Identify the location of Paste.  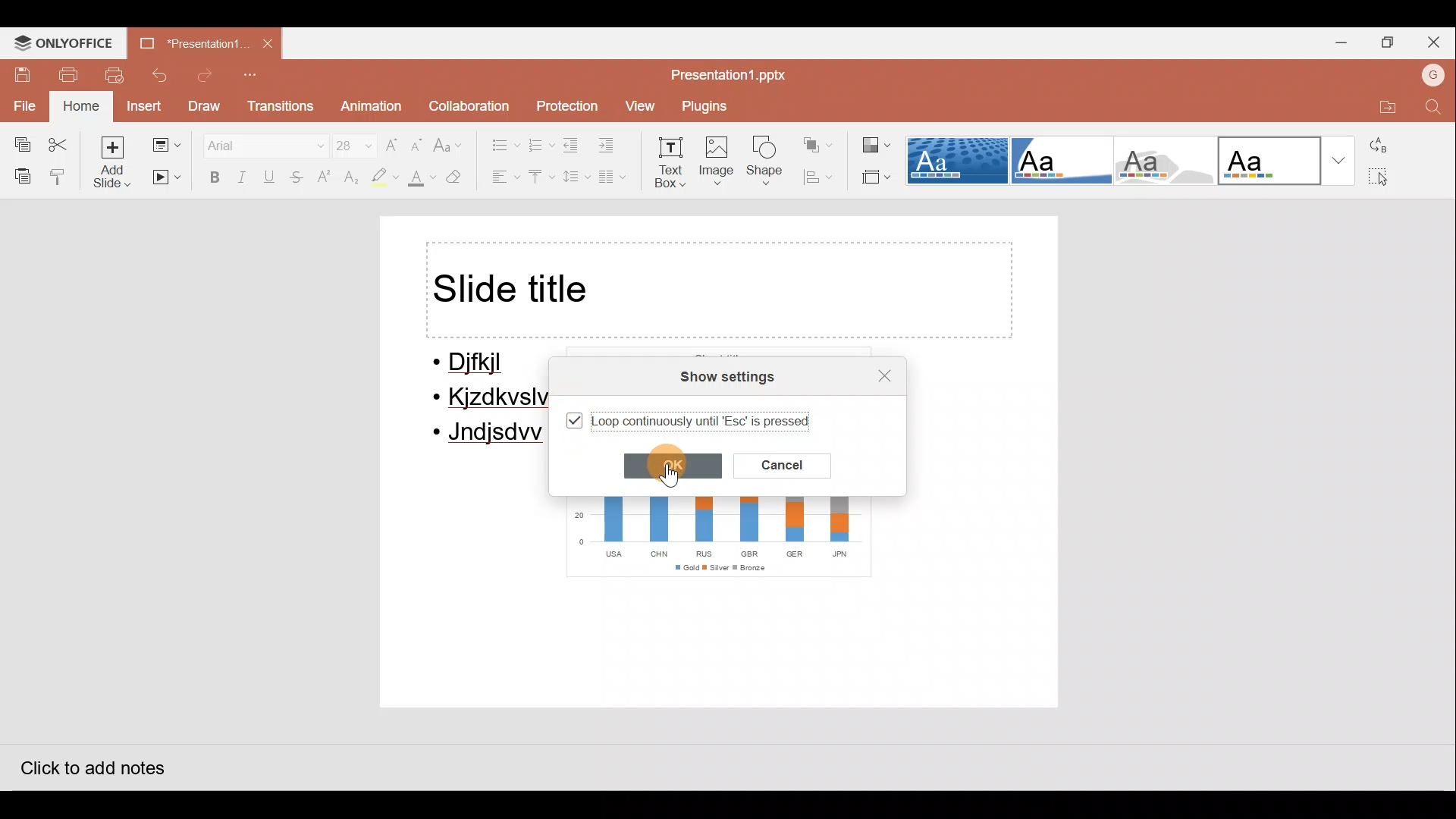
(20, 173).